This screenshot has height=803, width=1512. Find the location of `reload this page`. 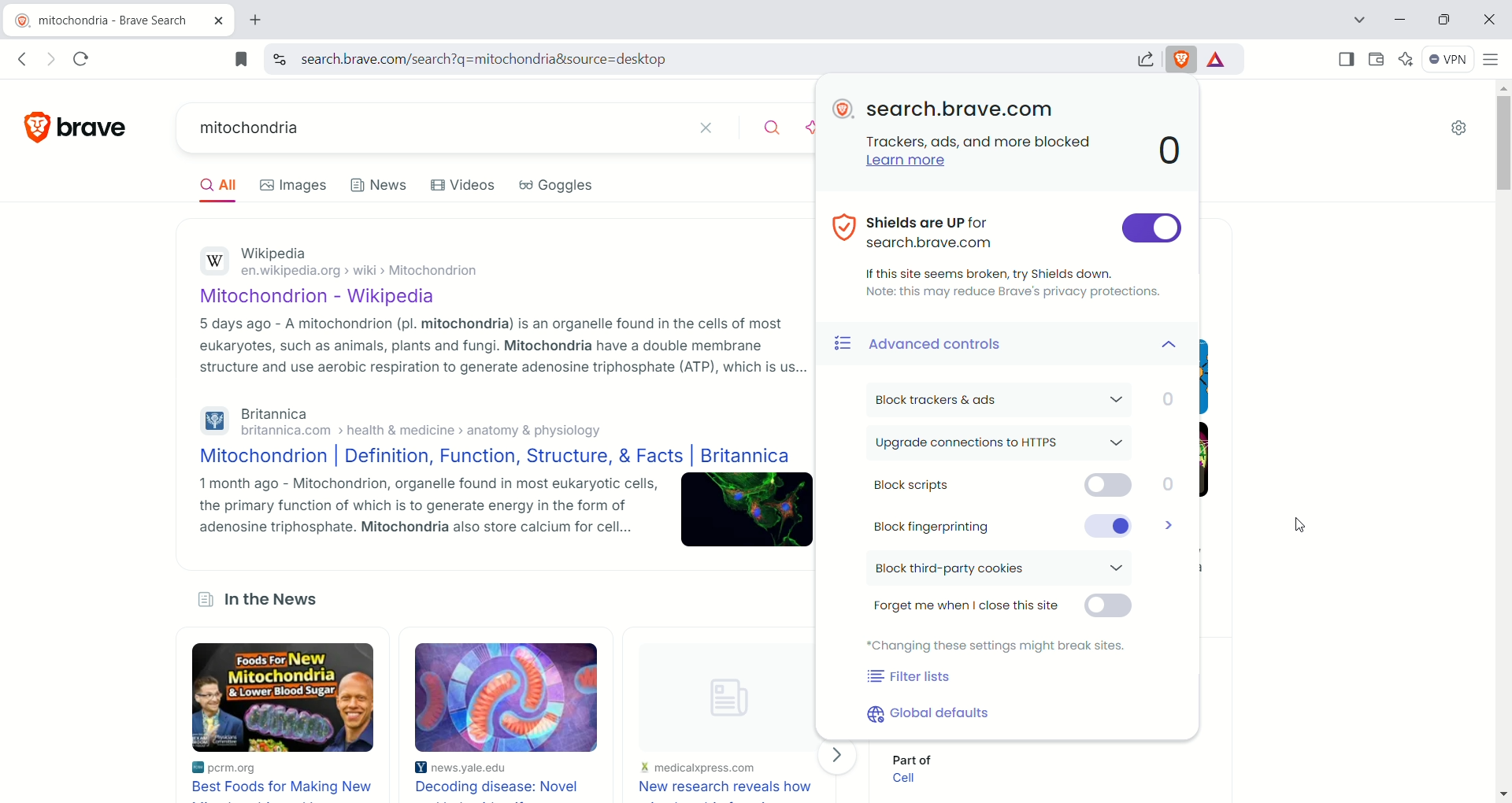

reload this page is located at coordinates (83, 58).